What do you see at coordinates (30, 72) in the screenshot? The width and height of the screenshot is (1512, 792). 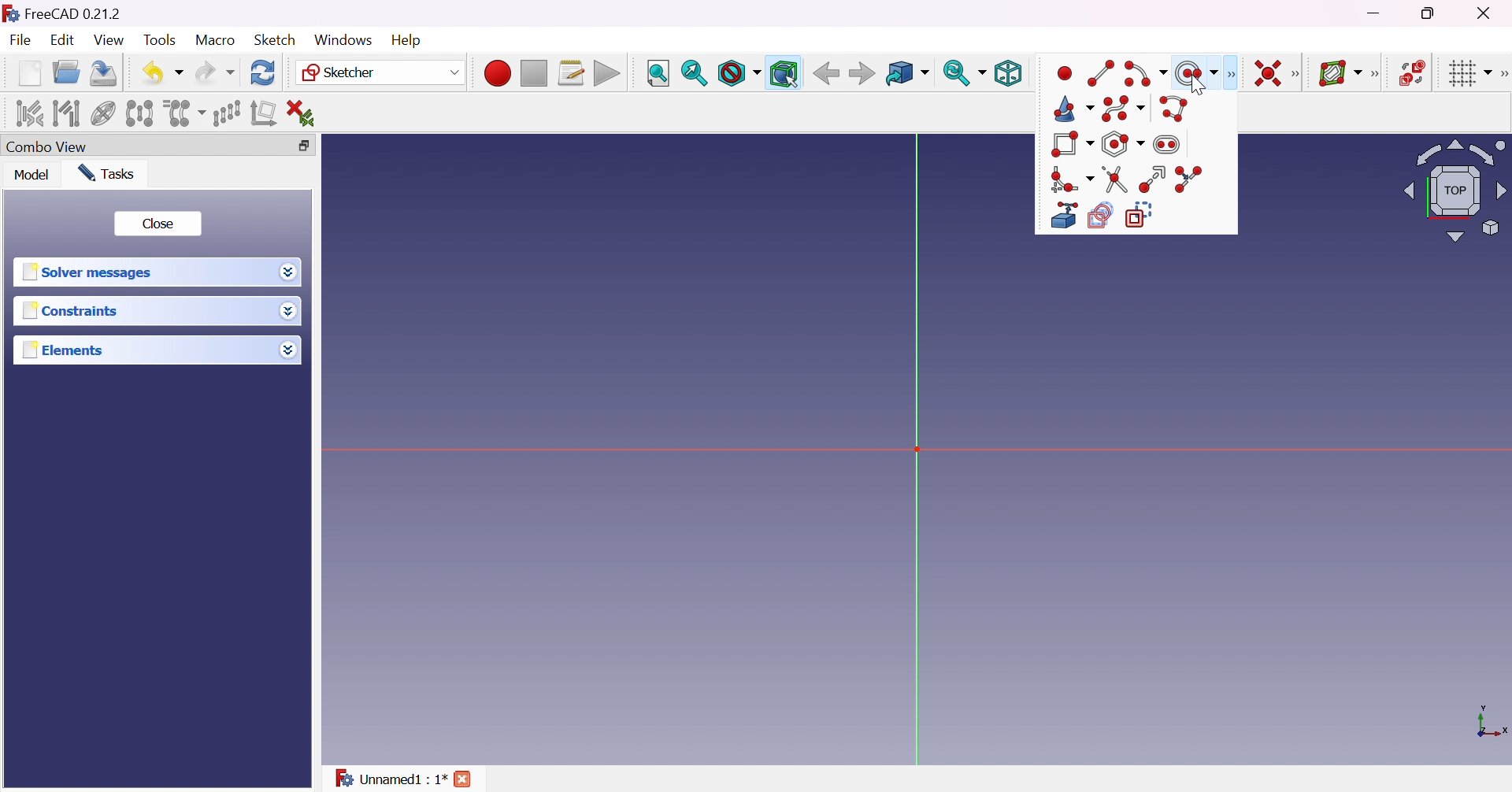 I see `New` at bounding box center [30, 72].